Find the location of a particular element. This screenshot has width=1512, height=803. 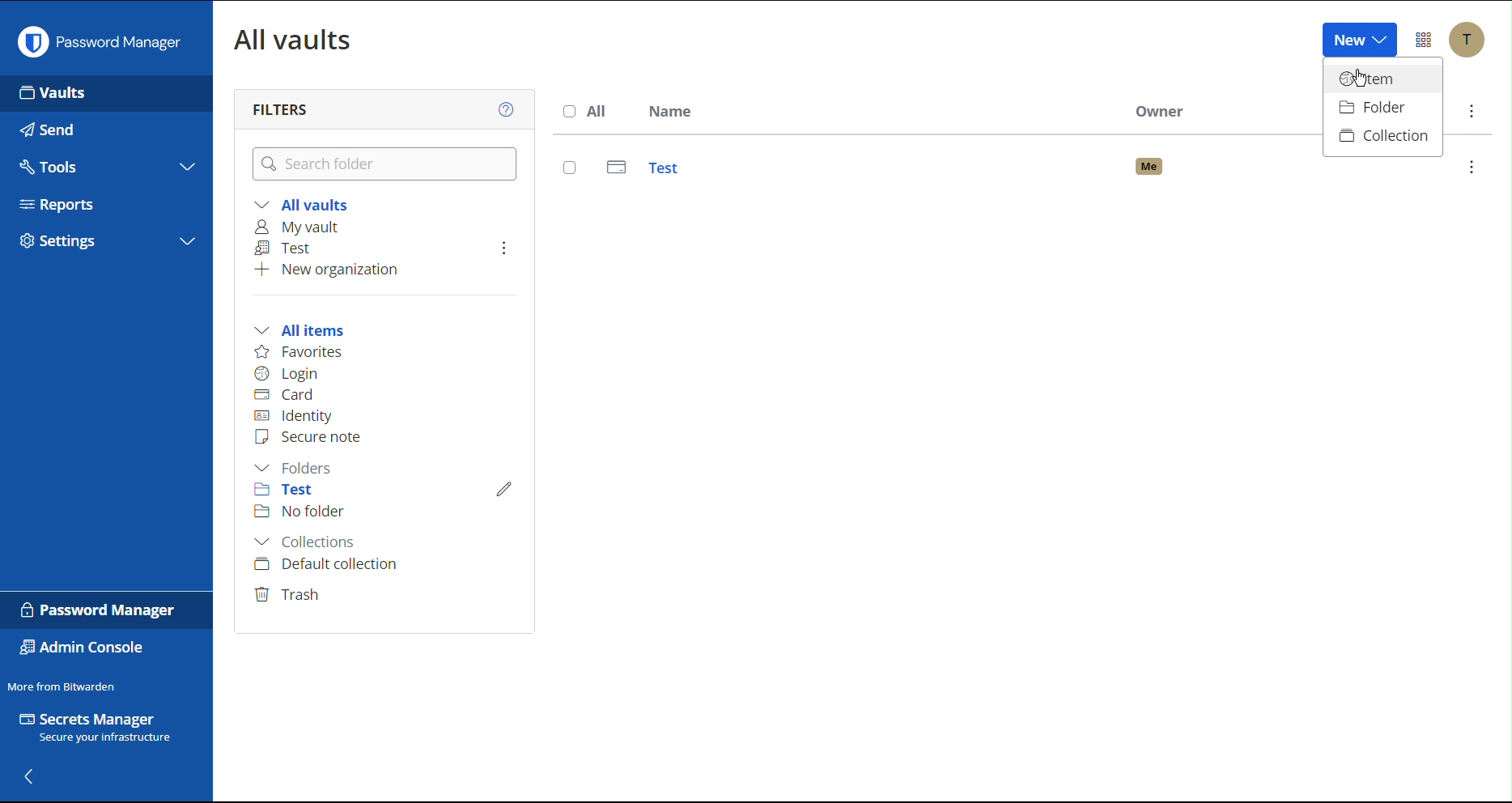

Item is located at coordinates (1380, 82).